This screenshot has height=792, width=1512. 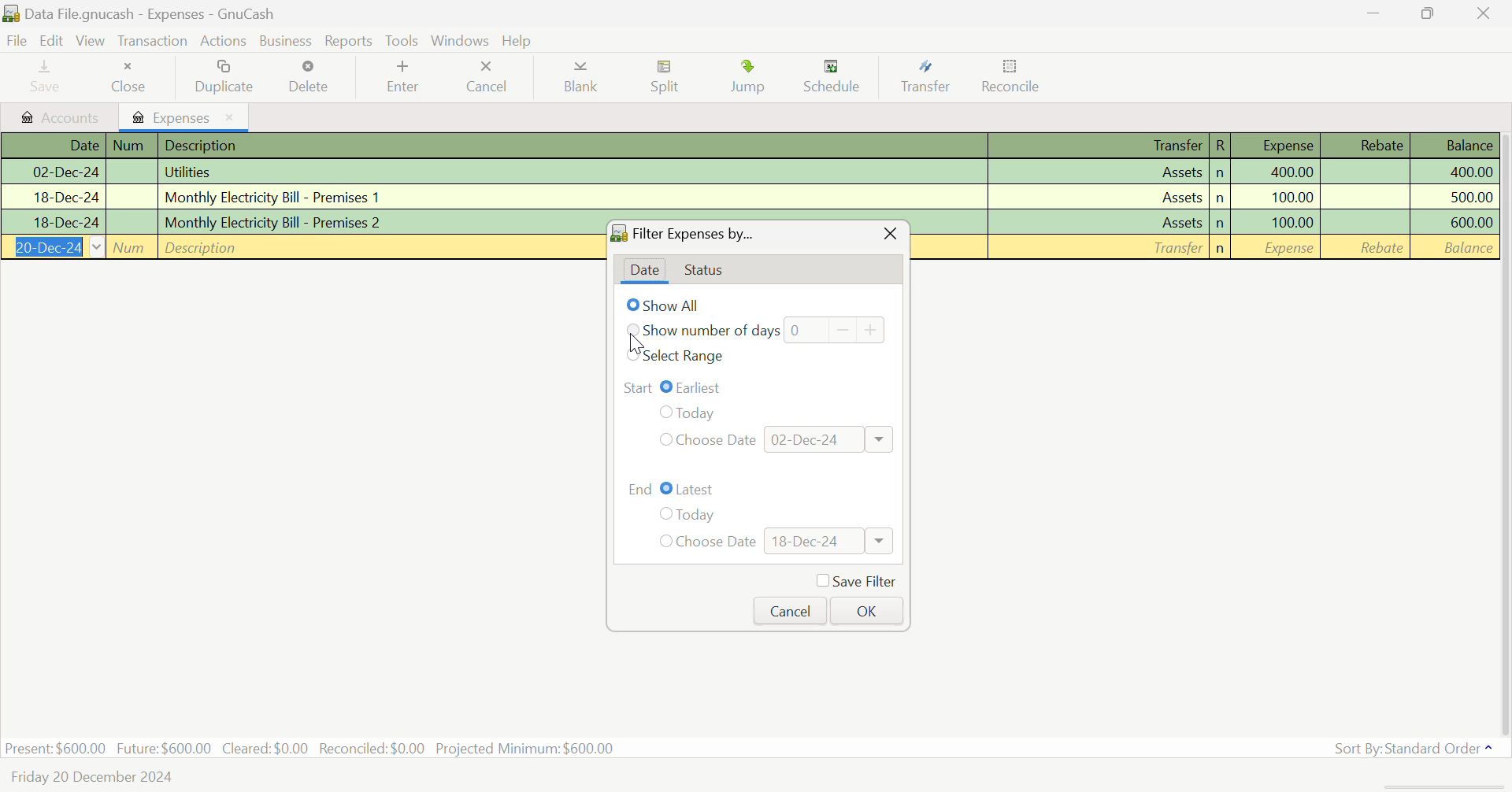 What do you see at coordinates (1291, 222) in the screenshot?
I see `Amount` at bounding box center [1291, 222].